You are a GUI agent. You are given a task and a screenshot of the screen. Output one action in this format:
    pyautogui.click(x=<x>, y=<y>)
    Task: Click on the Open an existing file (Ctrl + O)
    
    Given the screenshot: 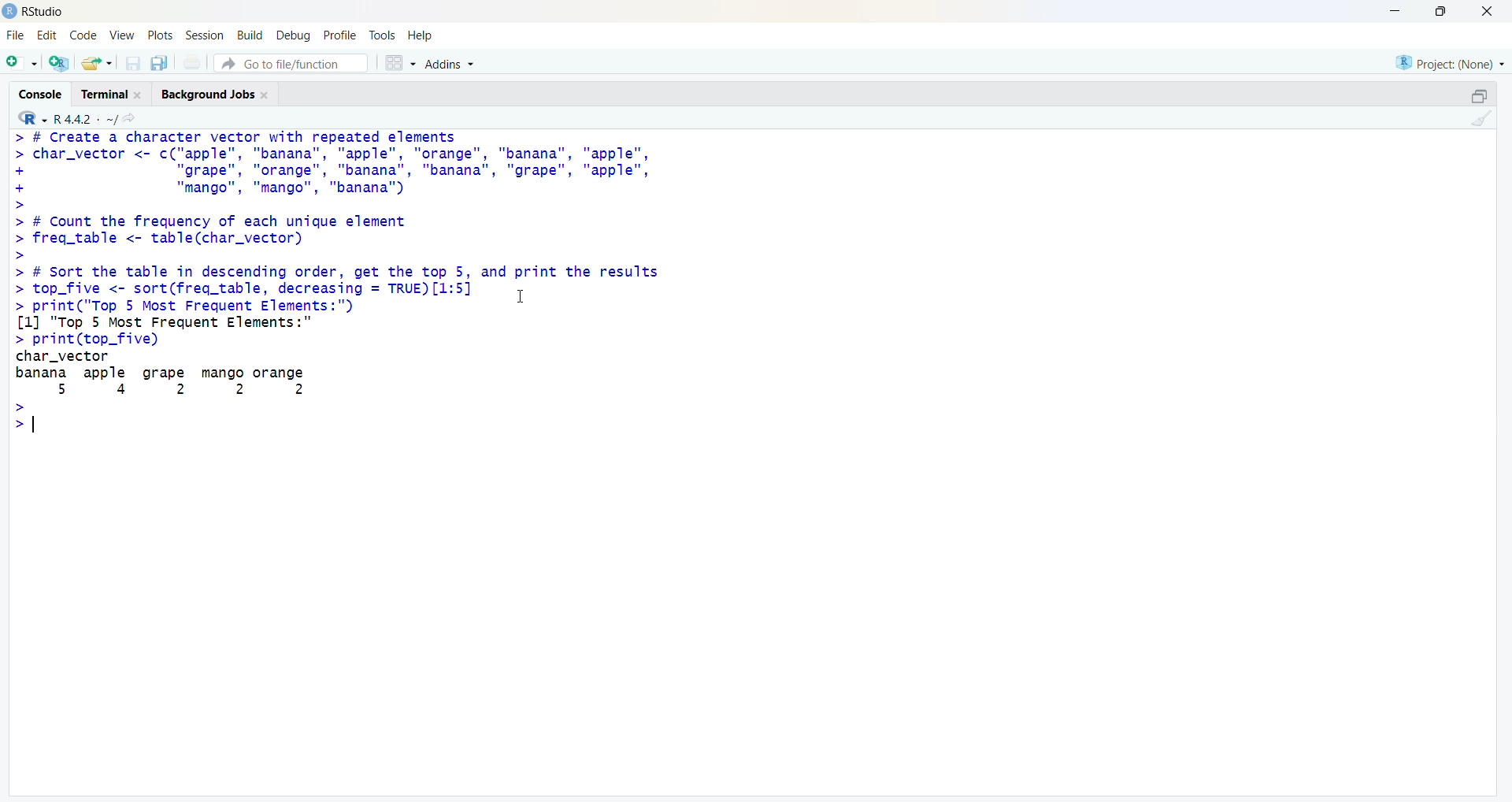 What is the action you would take?
    pyautogui.click(x=97, y=64)
    